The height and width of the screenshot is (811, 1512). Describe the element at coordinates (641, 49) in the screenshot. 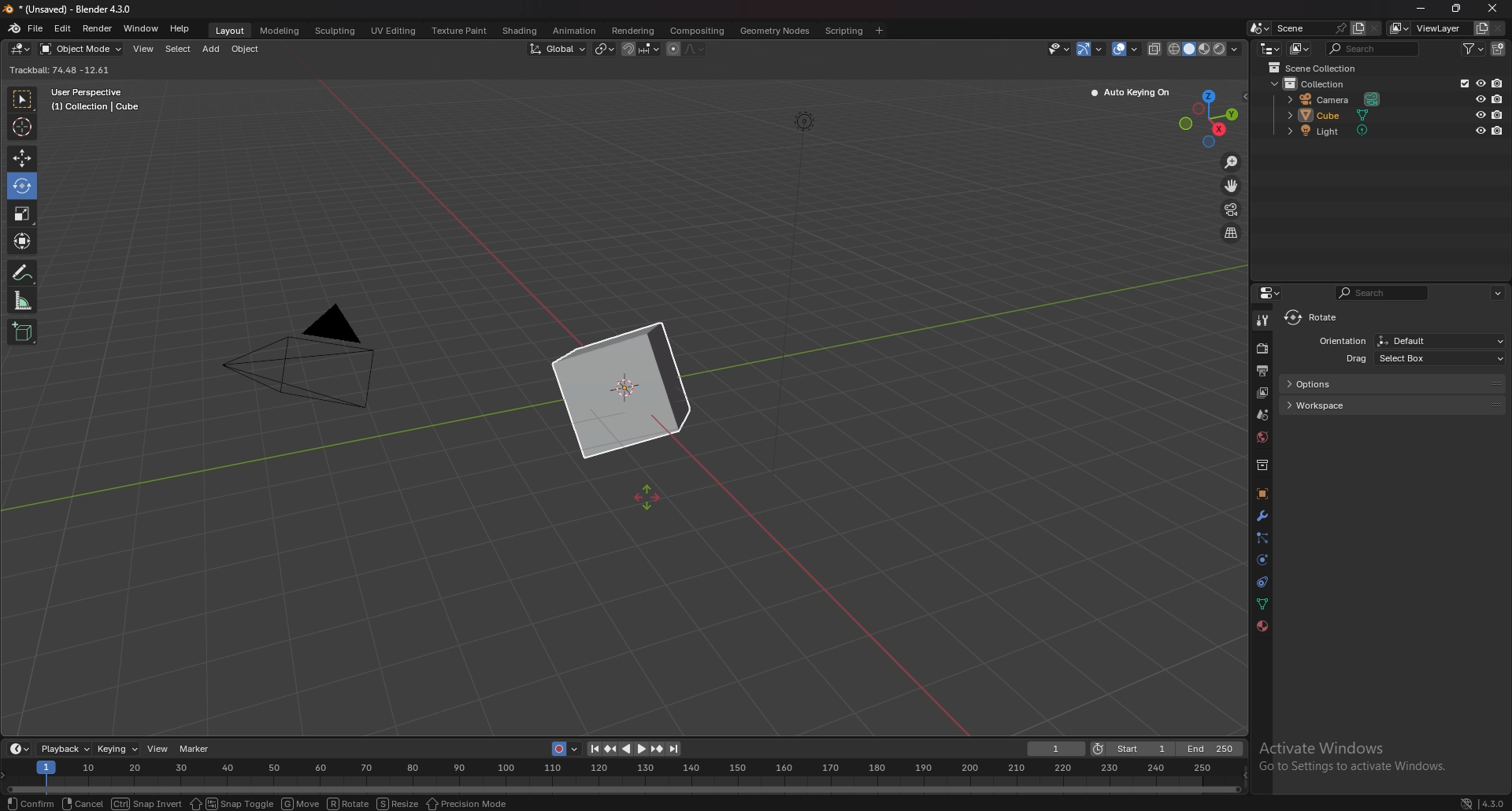

I see `snapping` at that location.